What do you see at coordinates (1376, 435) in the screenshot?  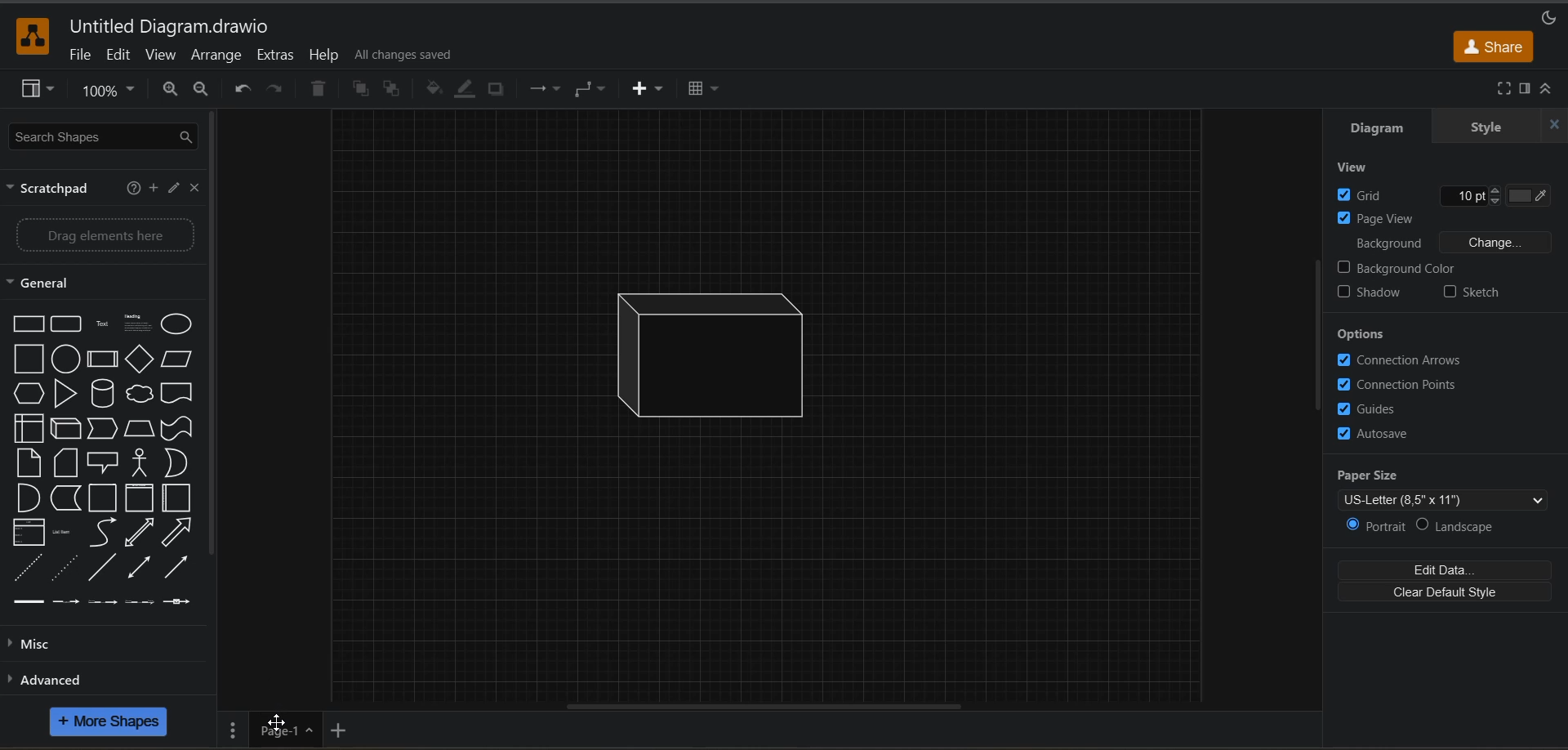 I see `autosave` at bounding box center [1376, 435].